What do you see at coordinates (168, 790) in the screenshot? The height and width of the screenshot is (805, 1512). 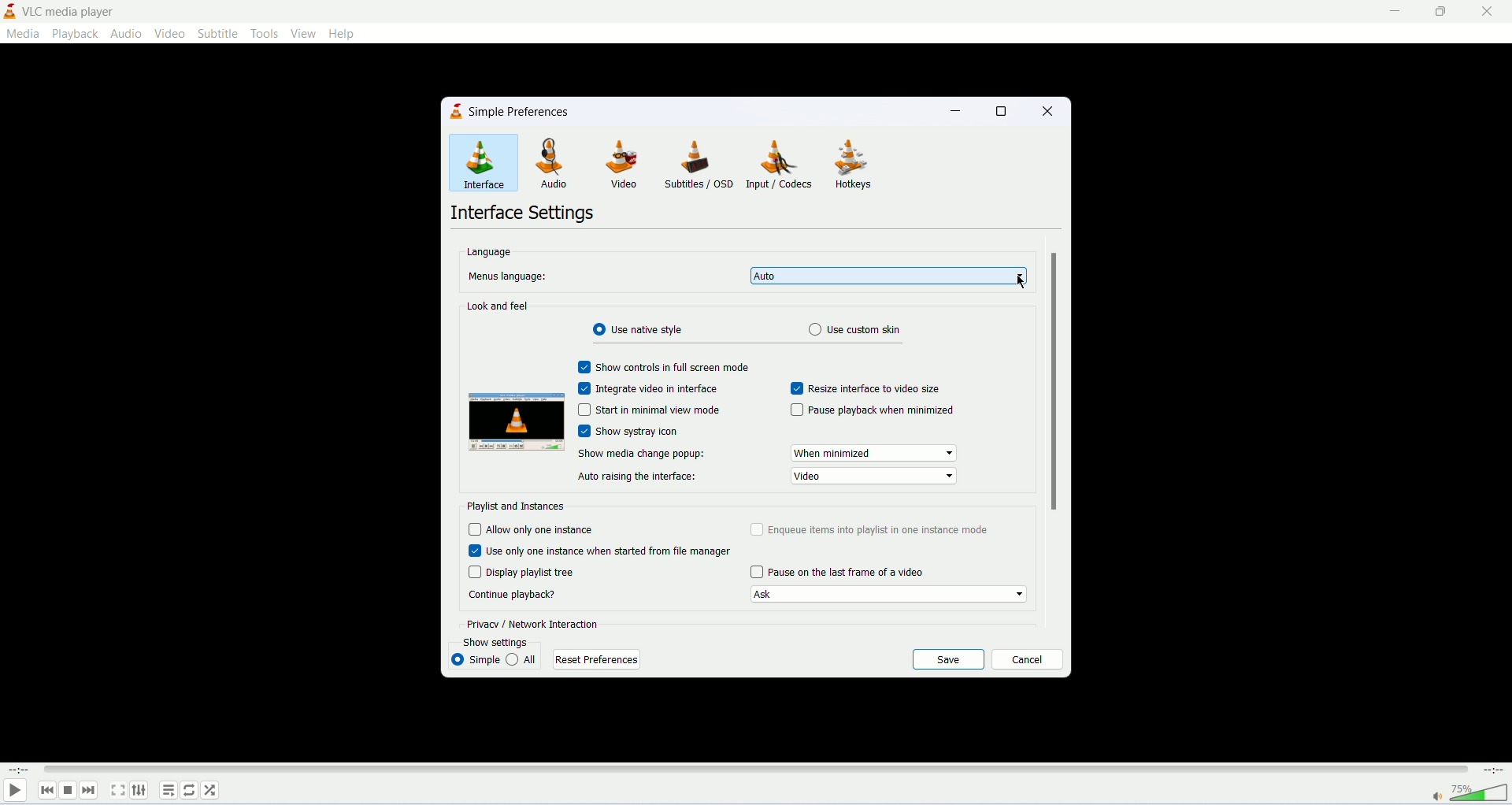 I see `playlist` at bounding box center [168, 790].